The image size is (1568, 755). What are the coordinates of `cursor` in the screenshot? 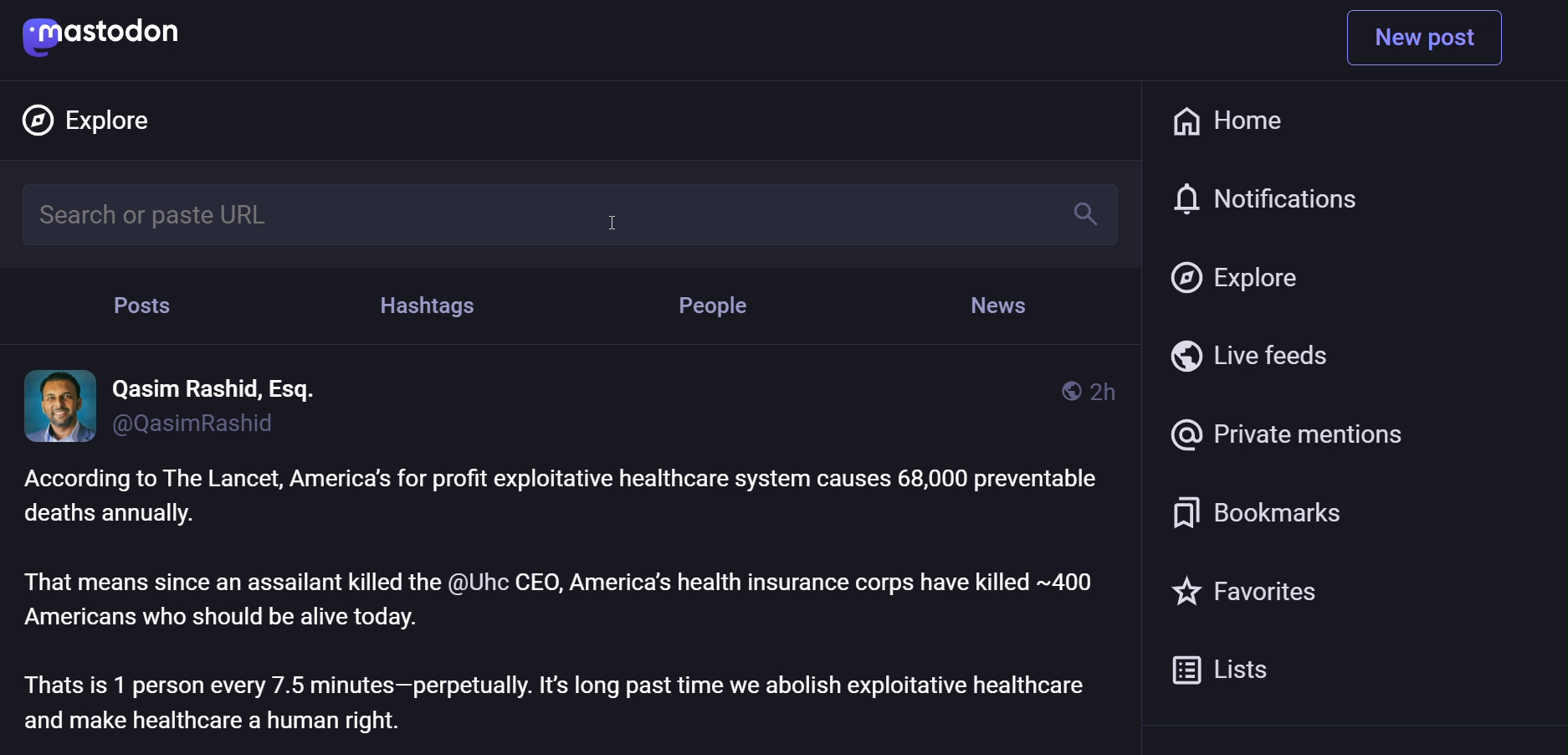 It's located at (607, 223).